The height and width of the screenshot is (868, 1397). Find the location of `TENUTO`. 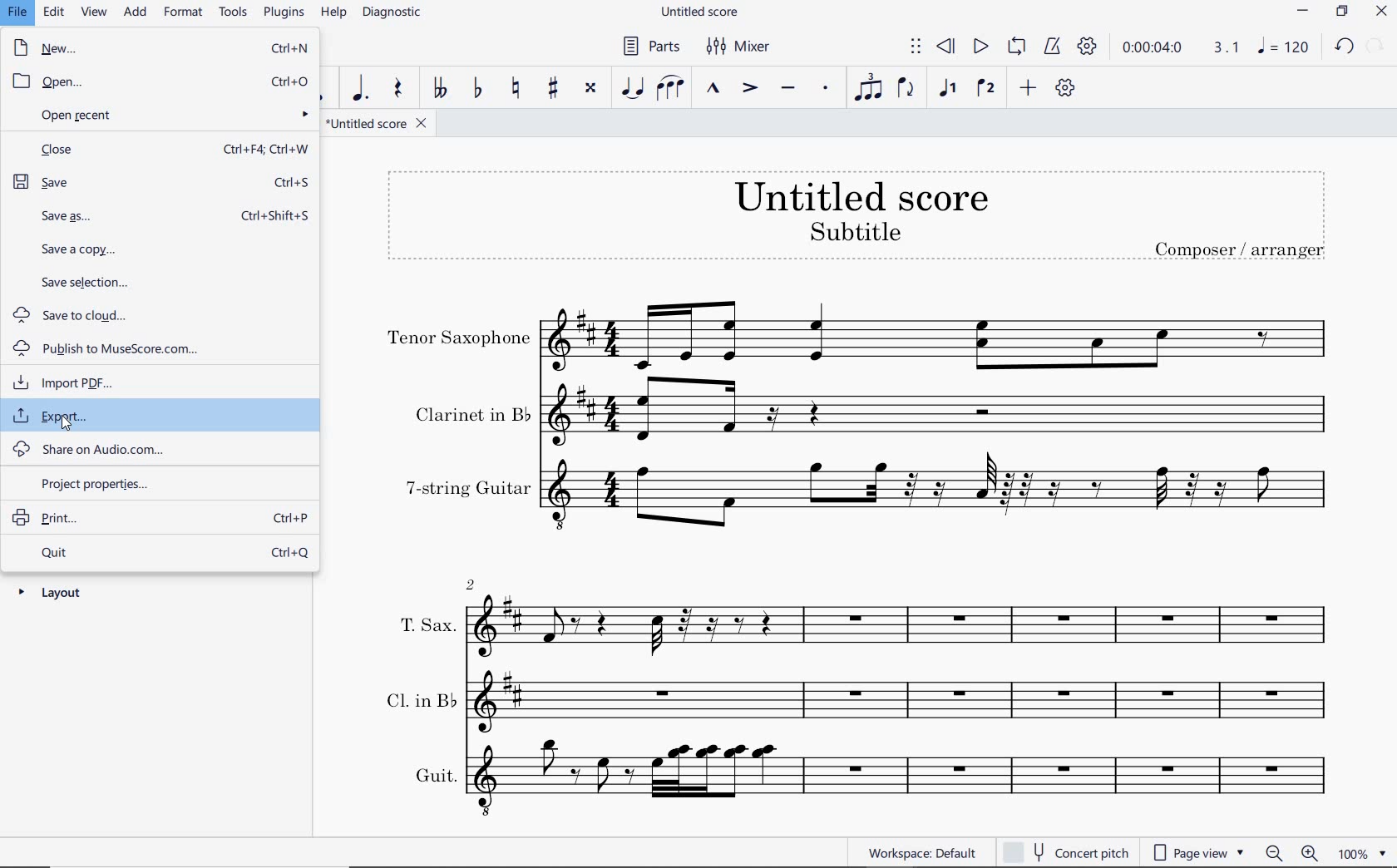

TENUTO is located at coordinates (789, 88).